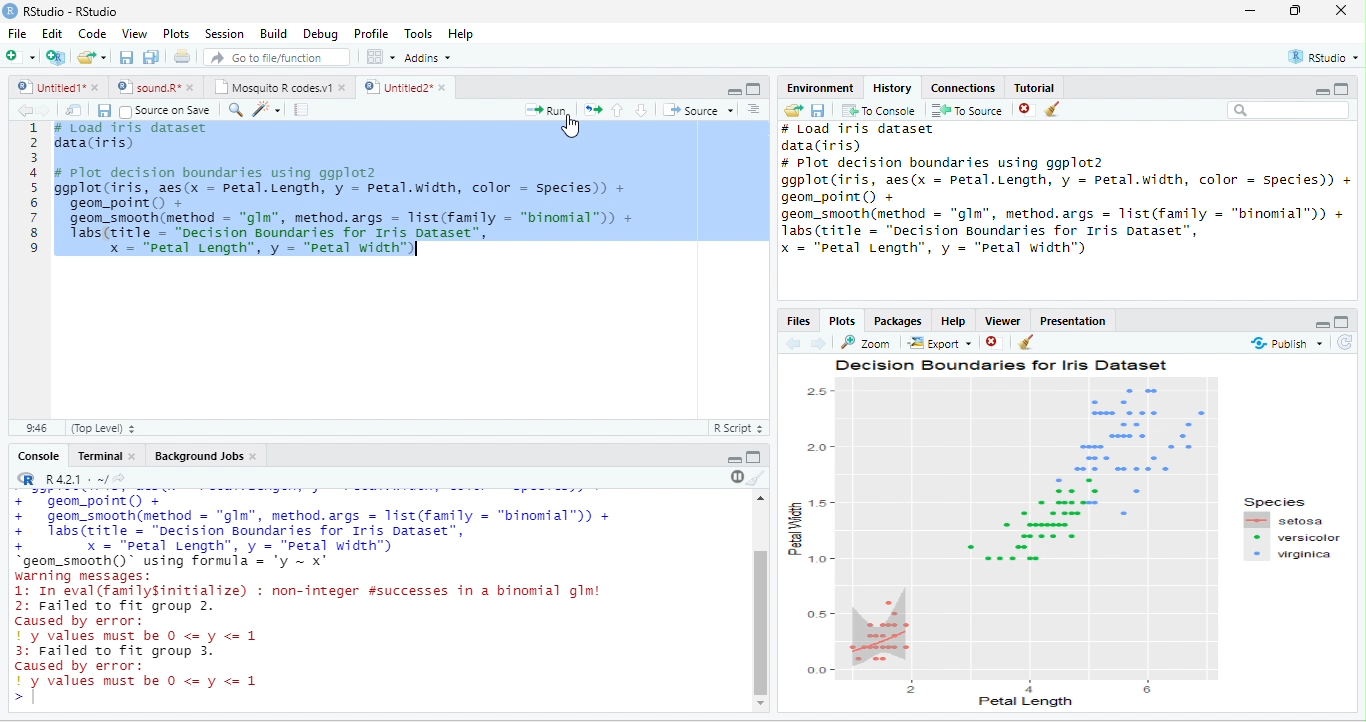  What do you see at coordinates (129, 139) in the screenshot?
I see `# Load iris dataset data(iris)` at bounding box center [129, 139].